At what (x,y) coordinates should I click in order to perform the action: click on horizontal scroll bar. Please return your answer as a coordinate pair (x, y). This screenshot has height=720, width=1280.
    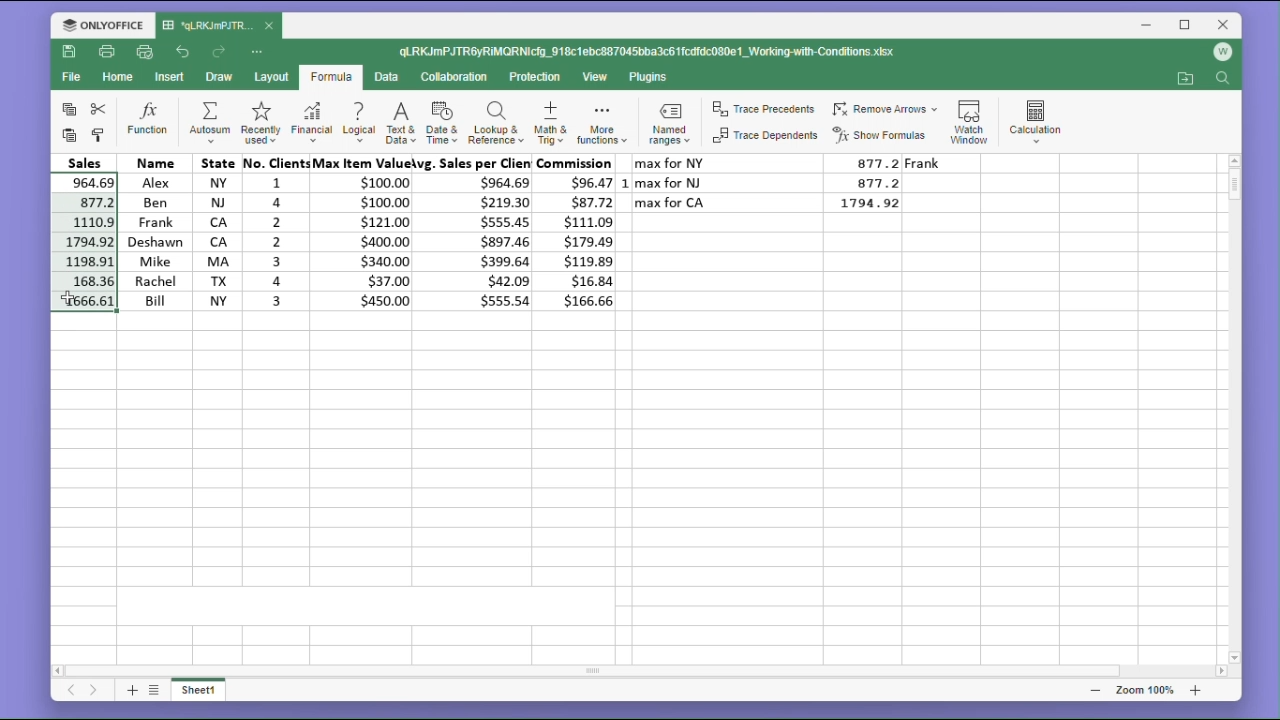
    Looking at the image, I should click on (642, 671).